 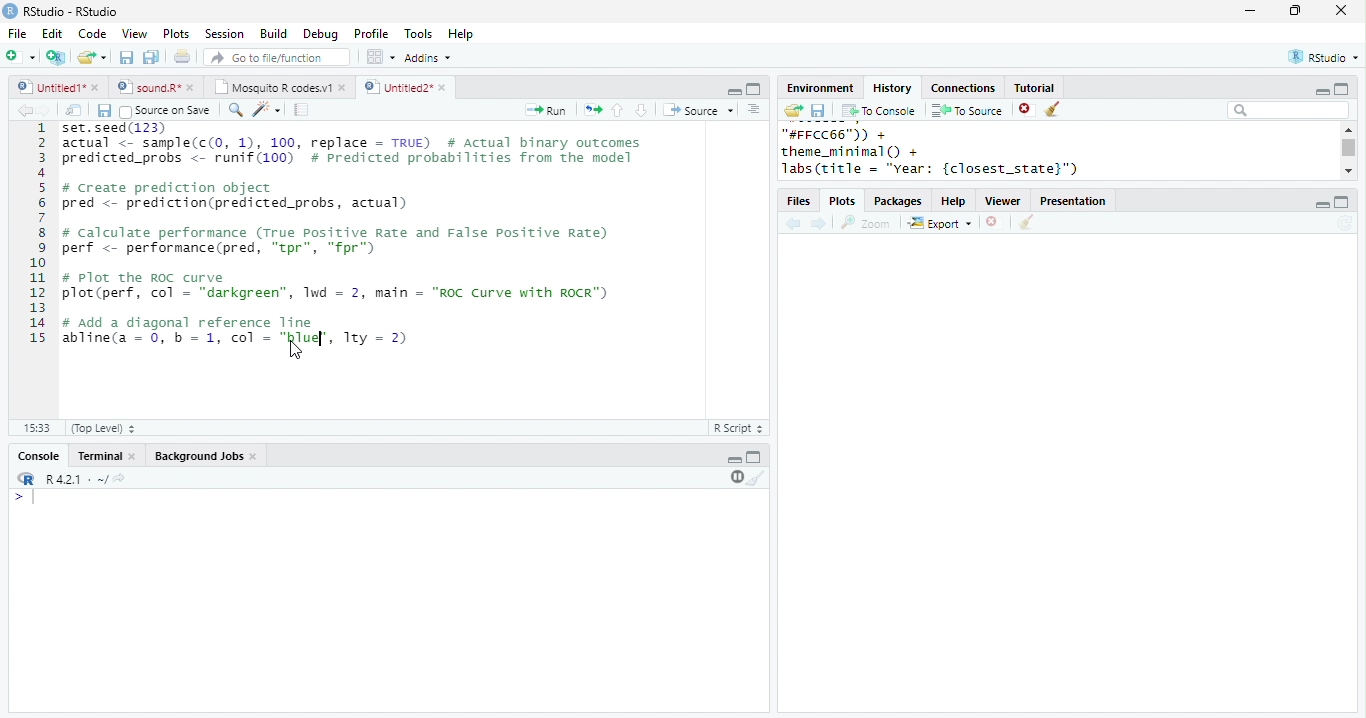 What do you see at coordinates (302, 109) in the screenshot?
I see `compile report` at bounding box center [302, 109].